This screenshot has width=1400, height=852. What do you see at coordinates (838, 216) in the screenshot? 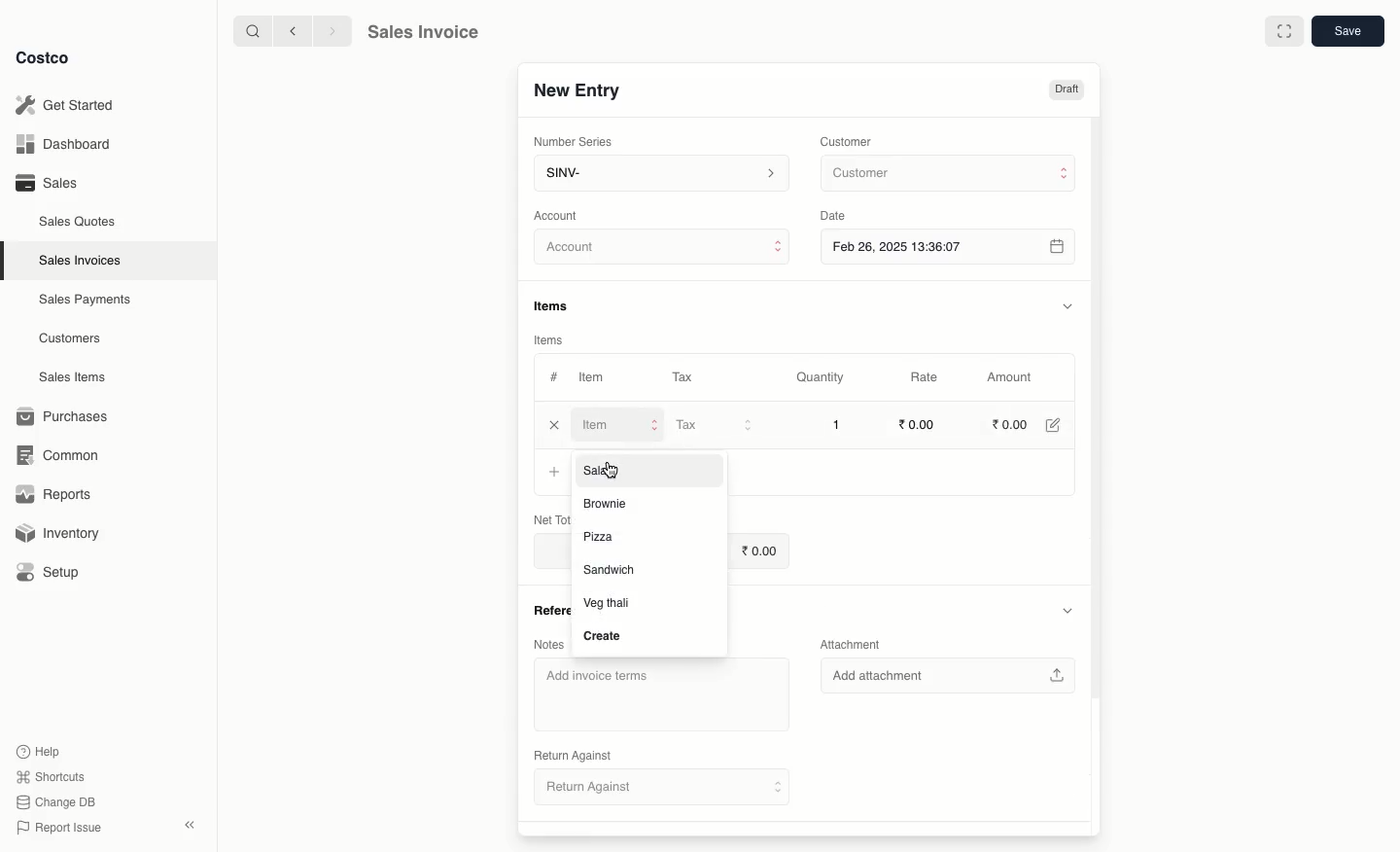
I see `Date` at bounding box center [838, 216].